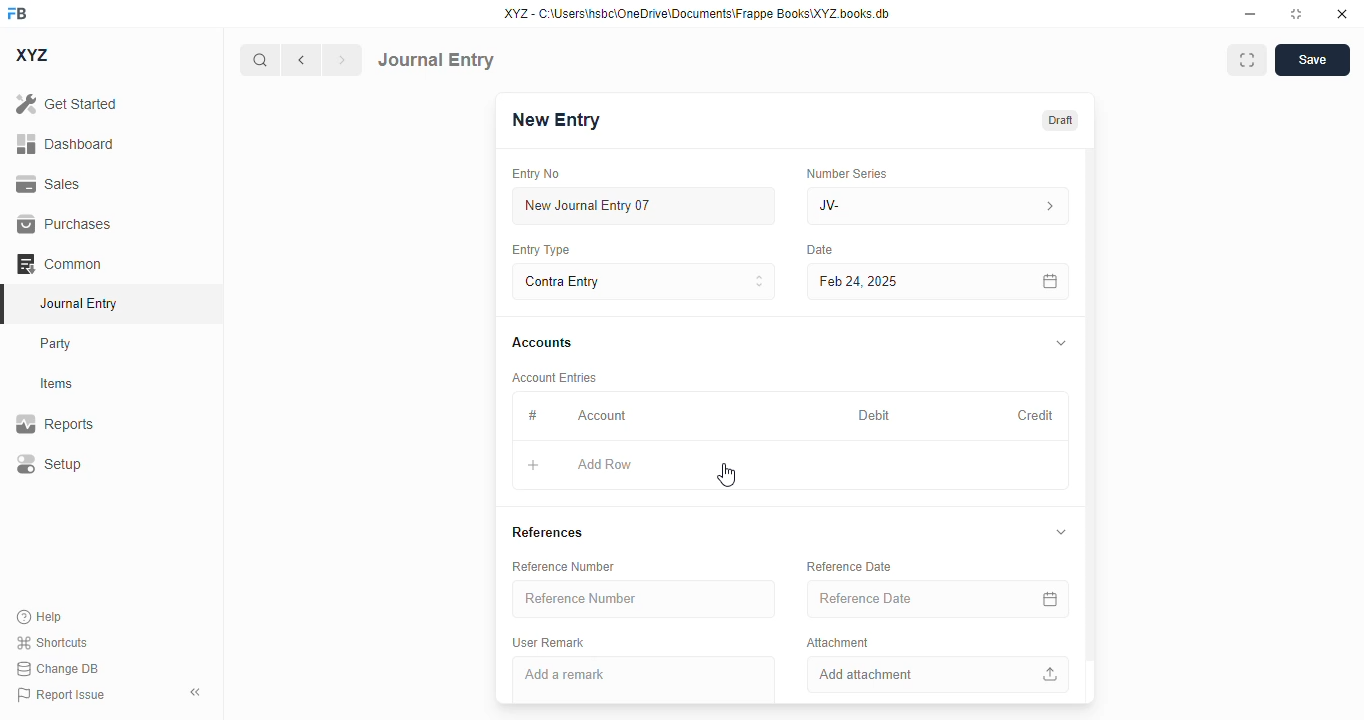 The width and height of the screenshot is (1364, 720). I want to click on toggle maximize, so click(1296, 14).